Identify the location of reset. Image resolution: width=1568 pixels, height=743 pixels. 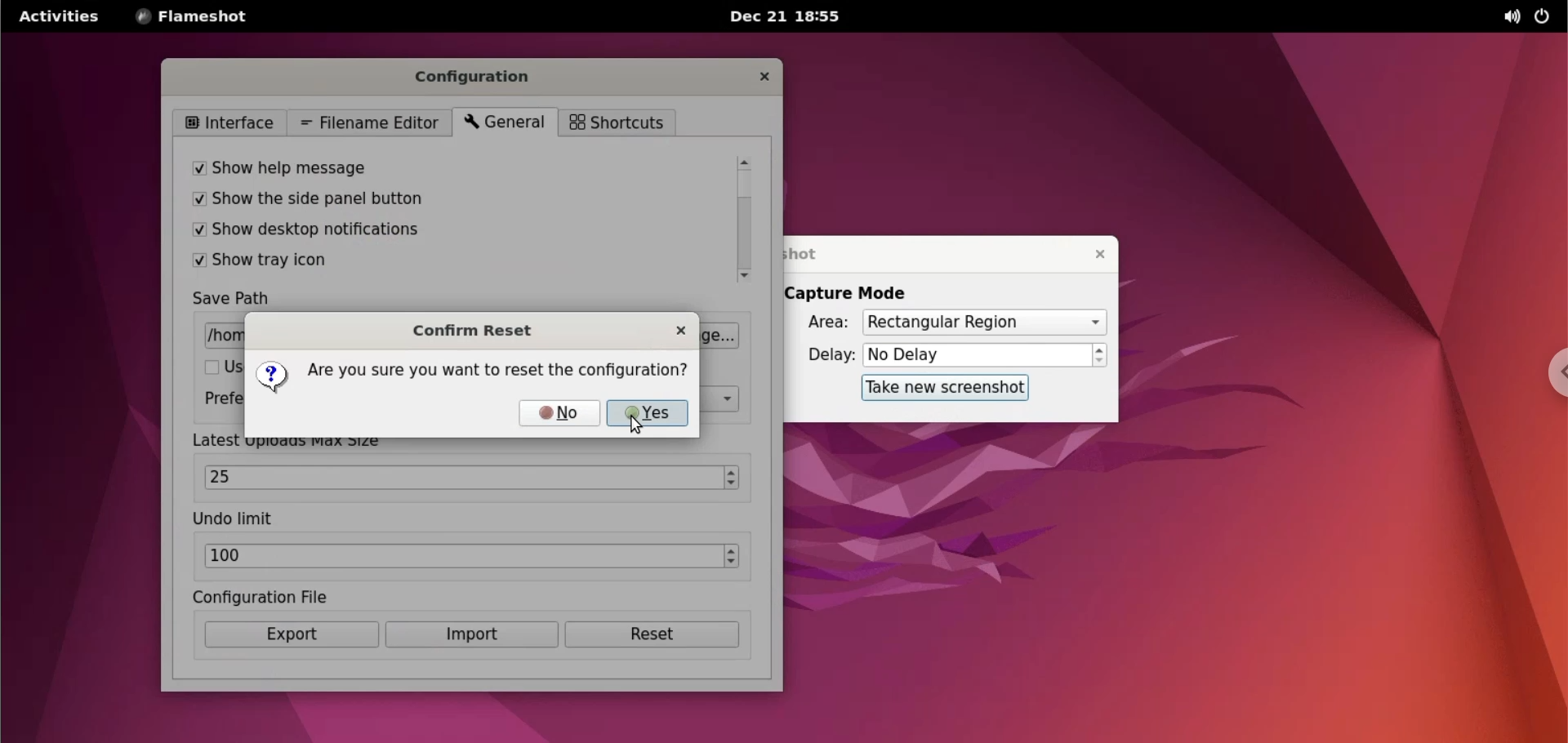
(658, 637).